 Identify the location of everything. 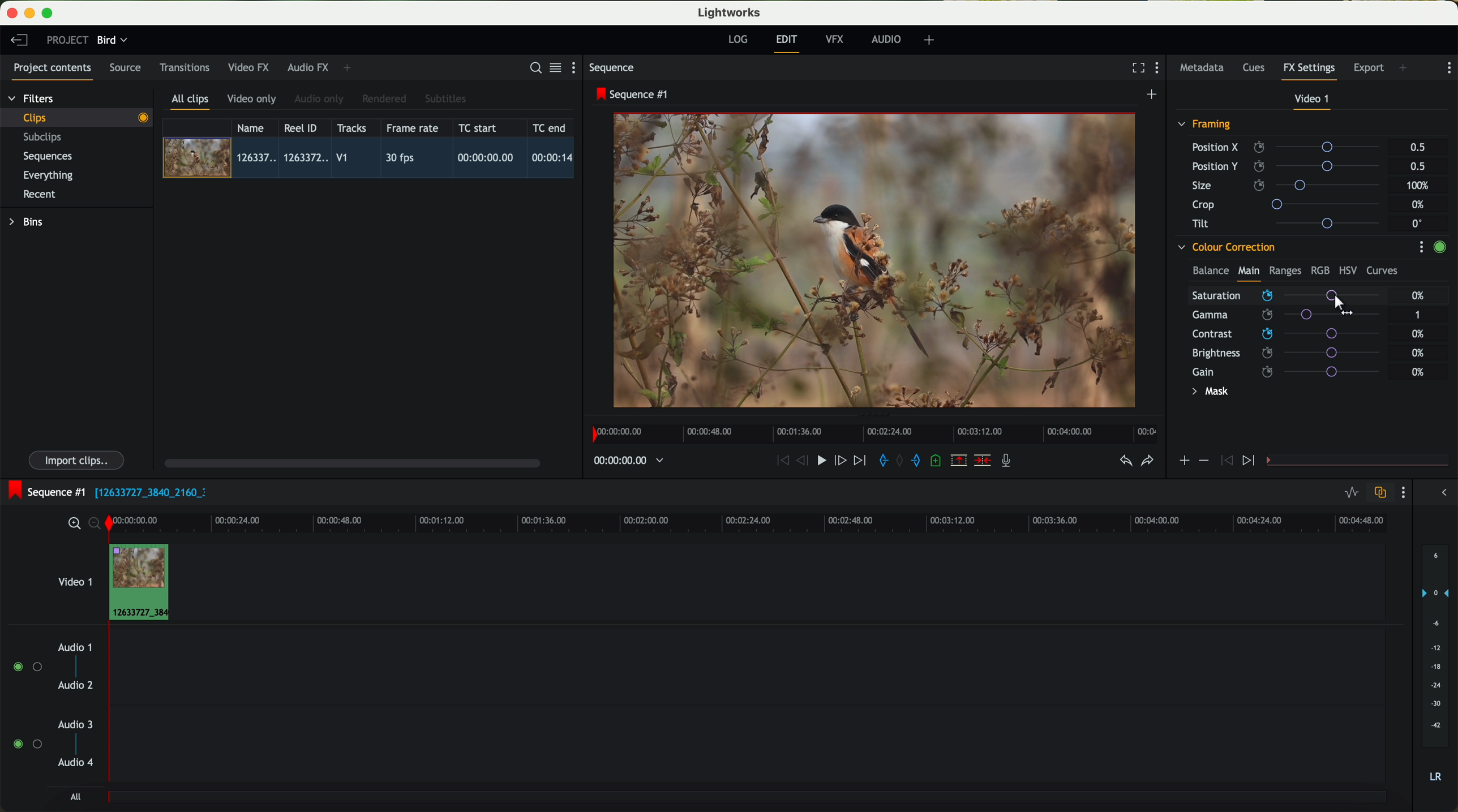
(49, 175).